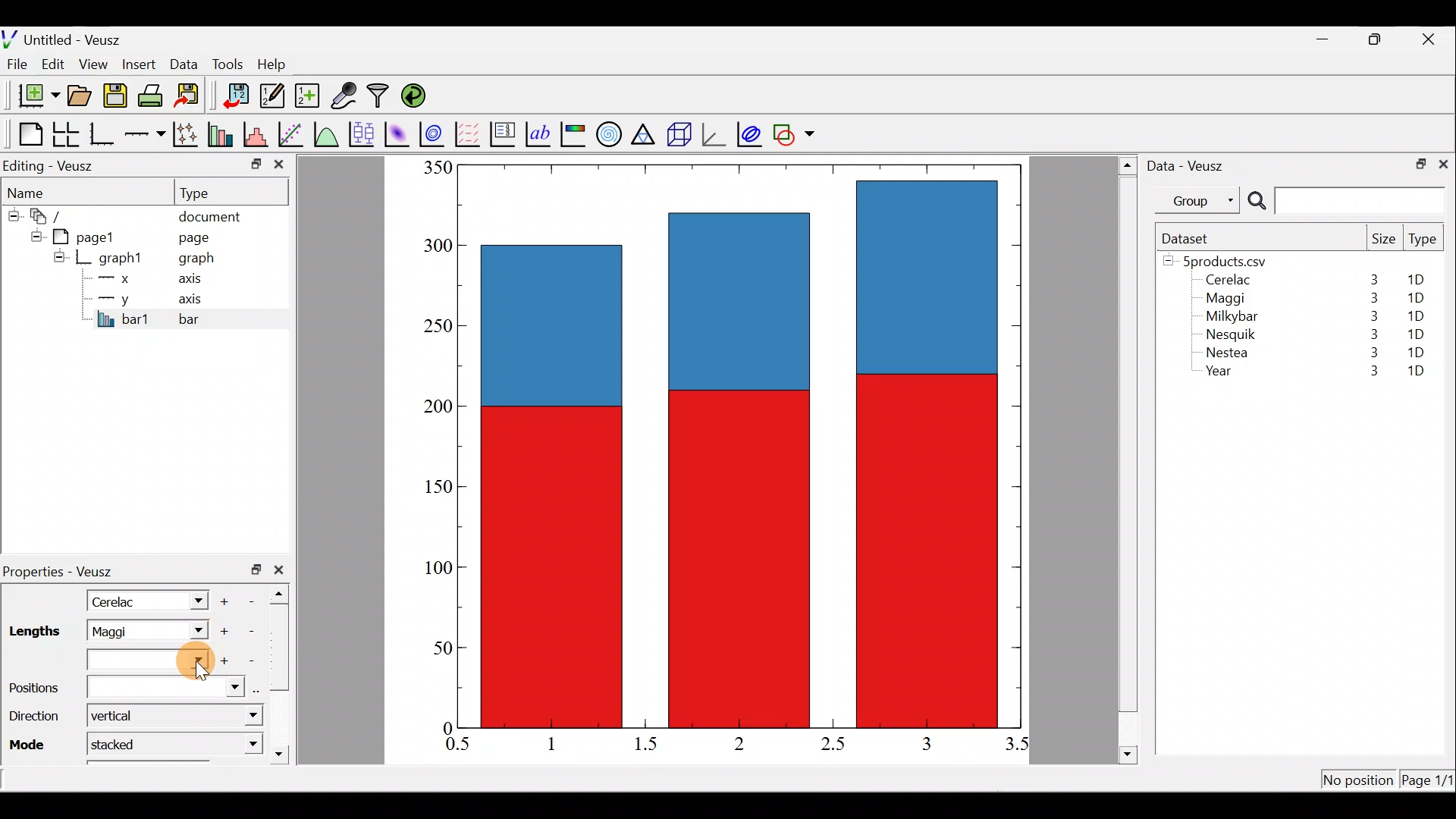  What do you see at coordinates (1424, 243) in the screenshot?
I see `Type` at bounding box center [1424, 243].